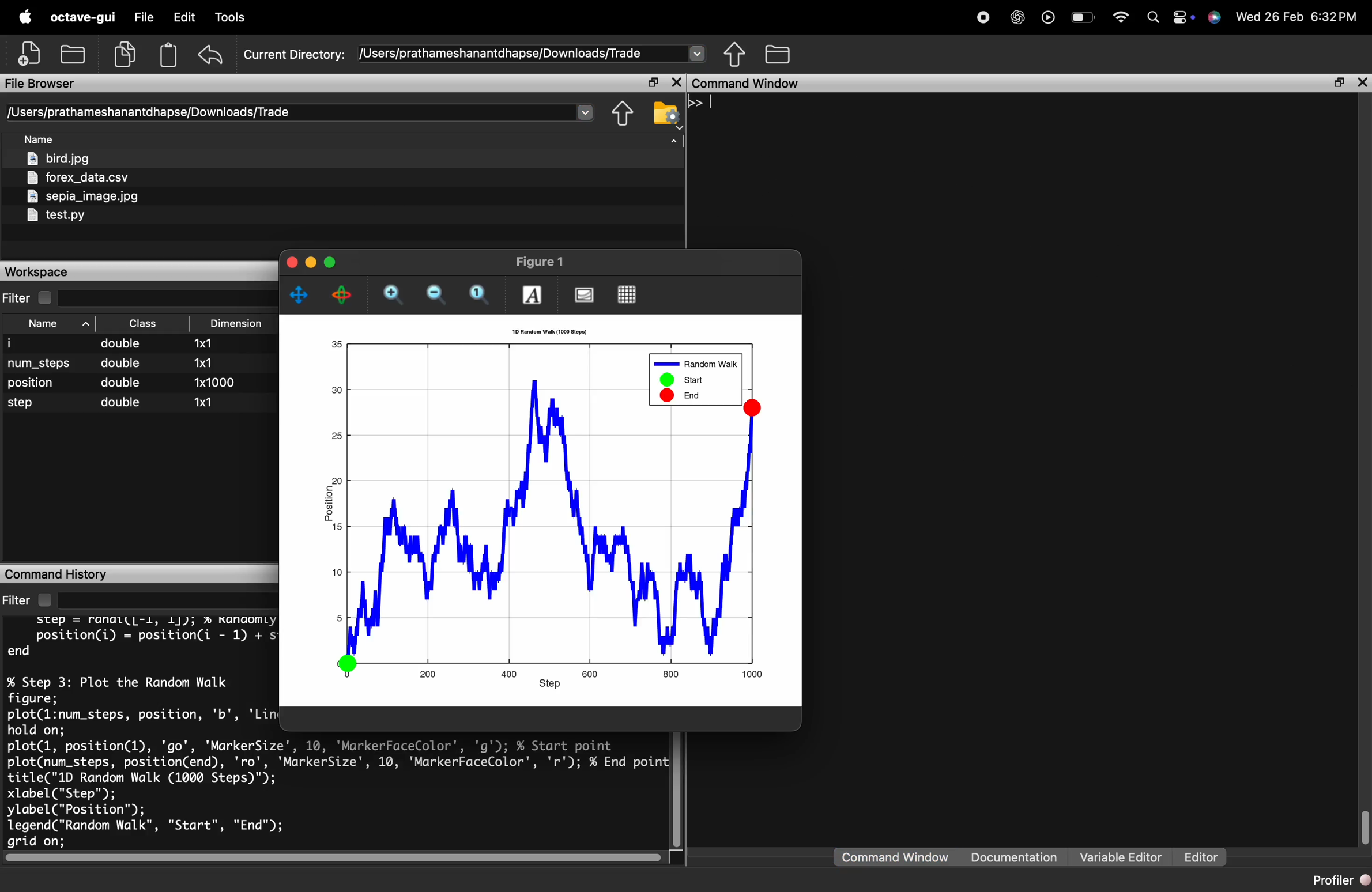 The image size is (1372, 892). Describe the element at coordinates (1200, 858) in the screenshot. I see `editor` at that location.